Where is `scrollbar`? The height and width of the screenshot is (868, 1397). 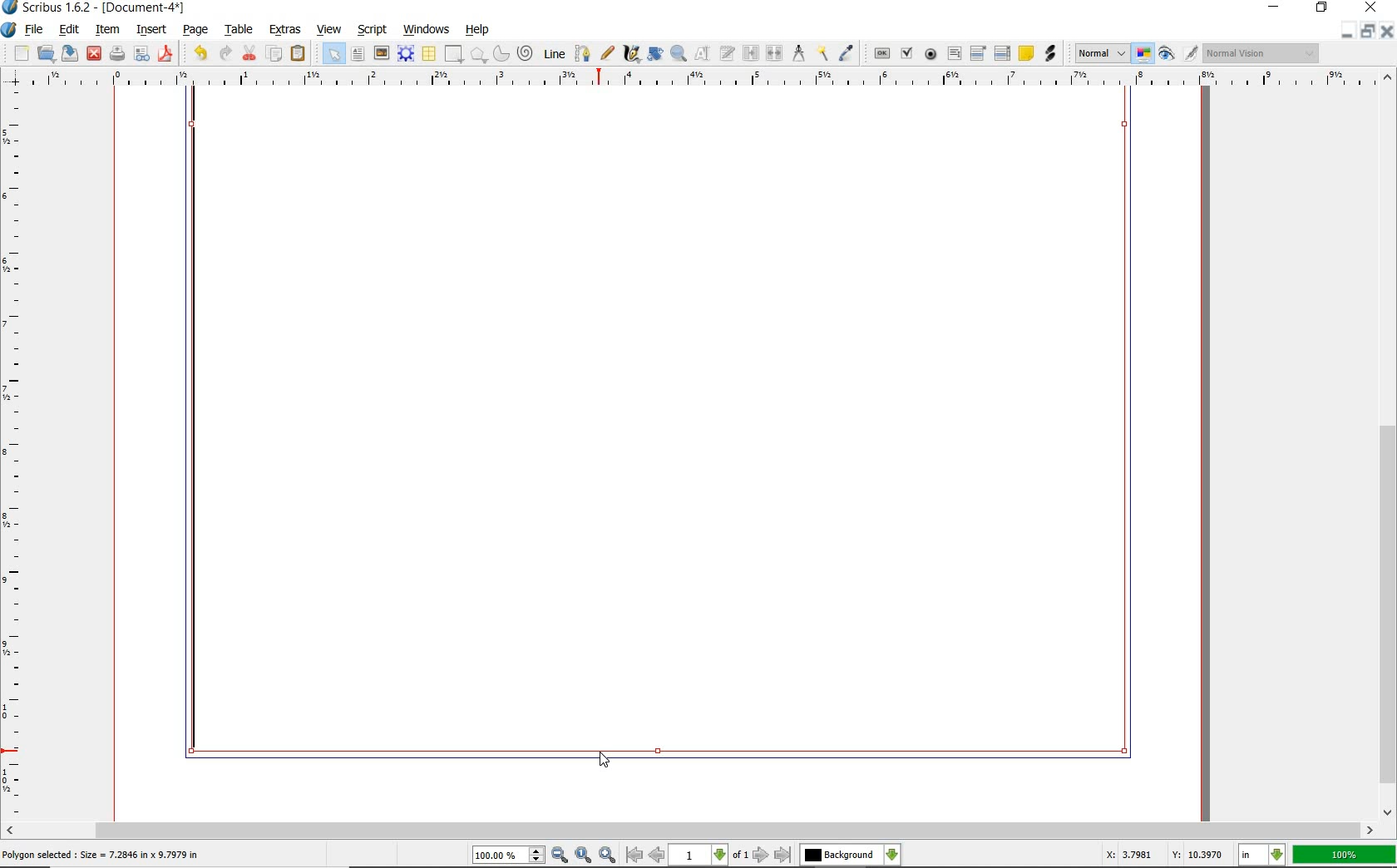
scrollbar is located at coordinates (1387, 445).